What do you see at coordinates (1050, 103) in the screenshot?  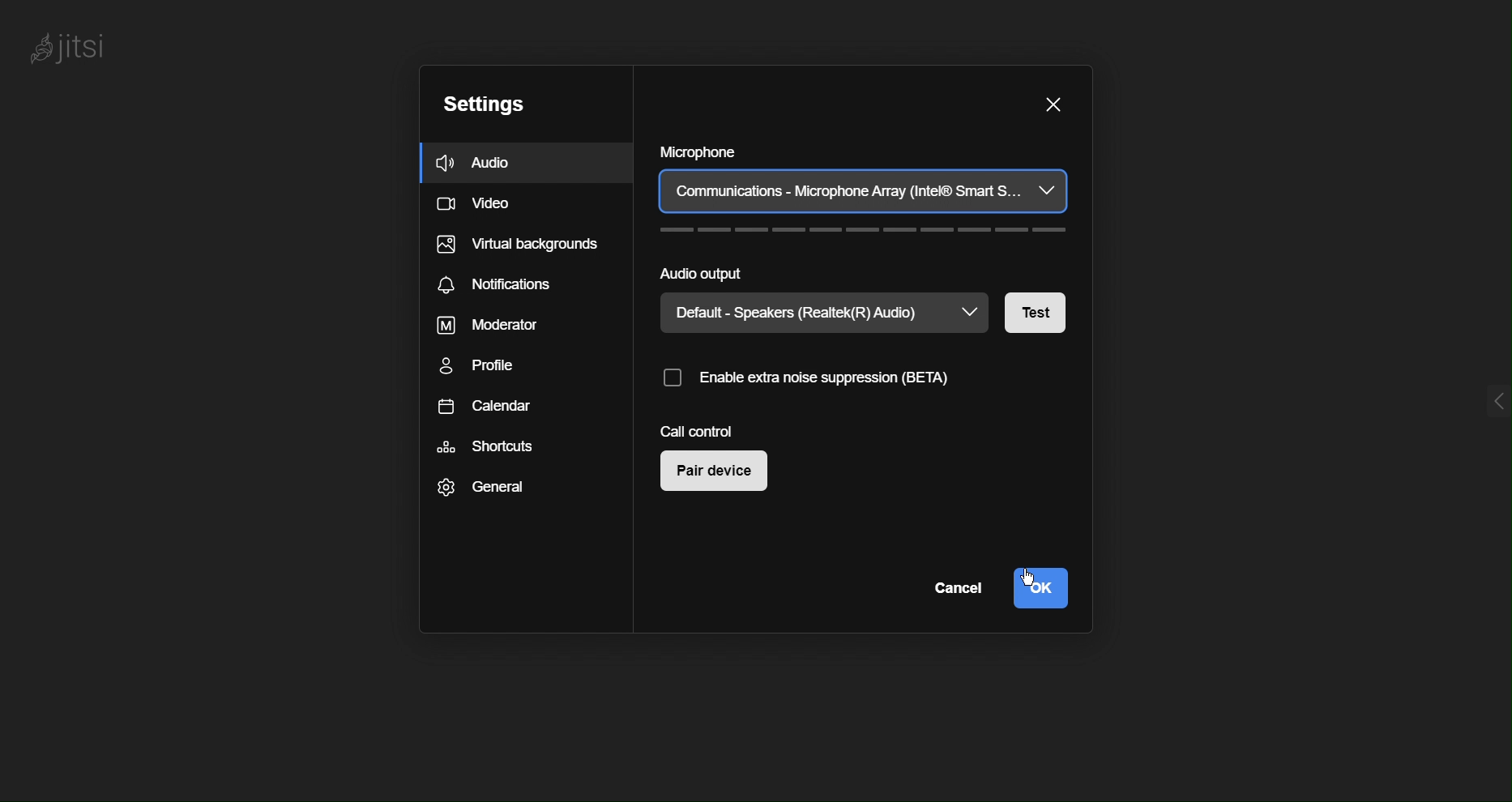 I see `Close` at bounding box center [1050, 103].